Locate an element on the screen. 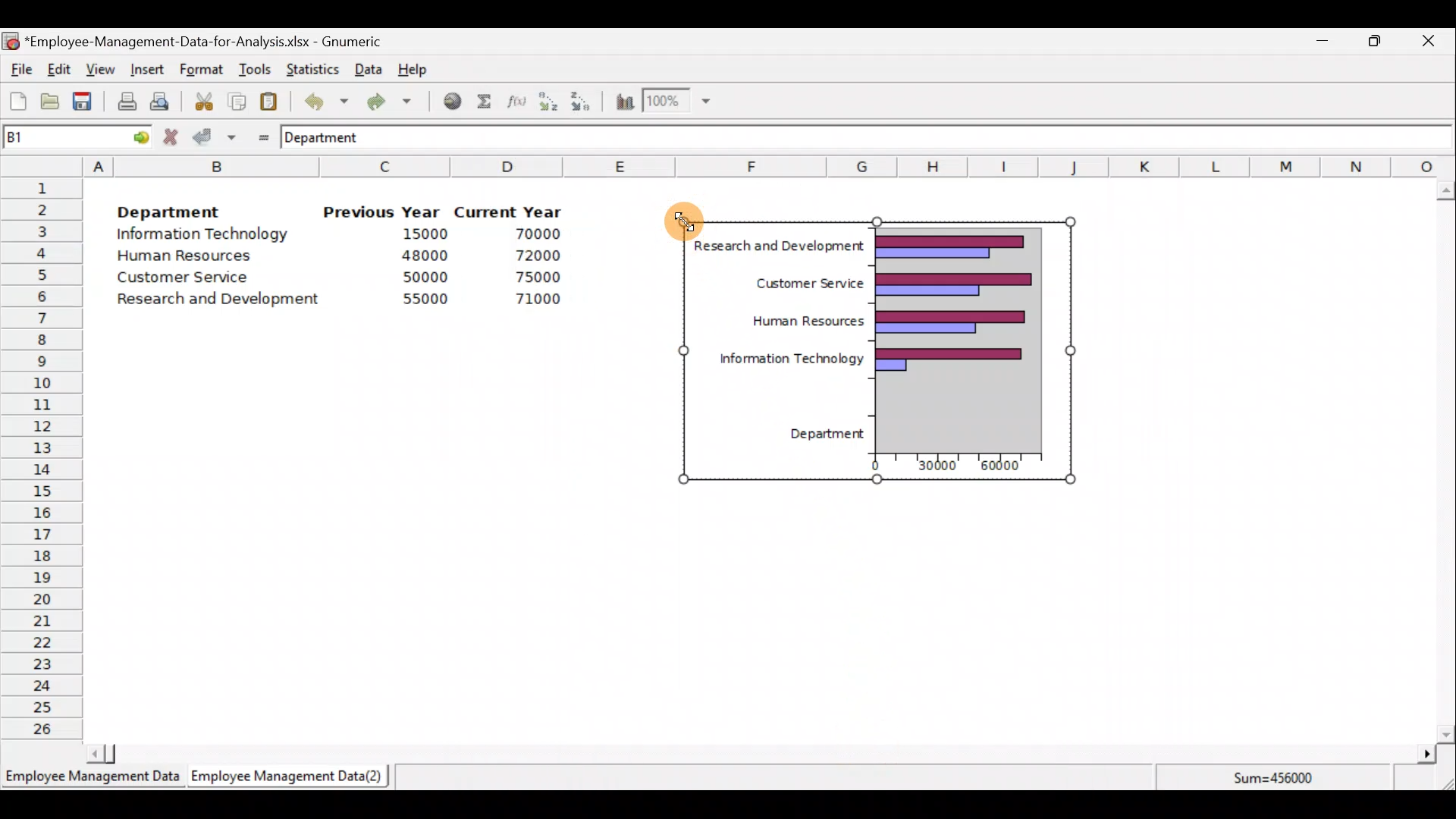  Create a new workbook is located at coordinates (18, 101).